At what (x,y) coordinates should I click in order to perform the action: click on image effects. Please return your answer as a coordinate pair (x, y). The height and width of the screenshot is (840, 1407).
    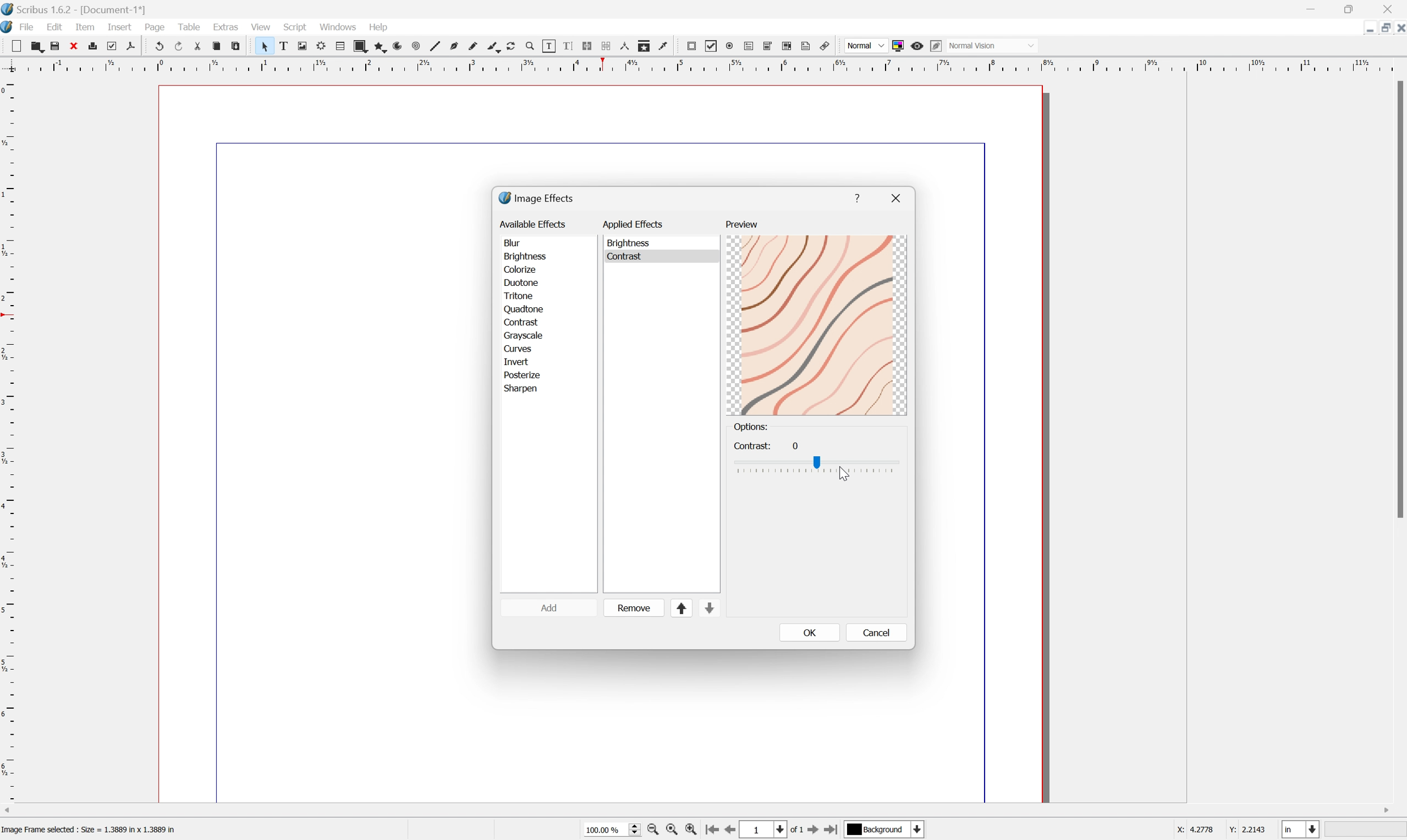
    Looking at the image, I should click on (537, 198).